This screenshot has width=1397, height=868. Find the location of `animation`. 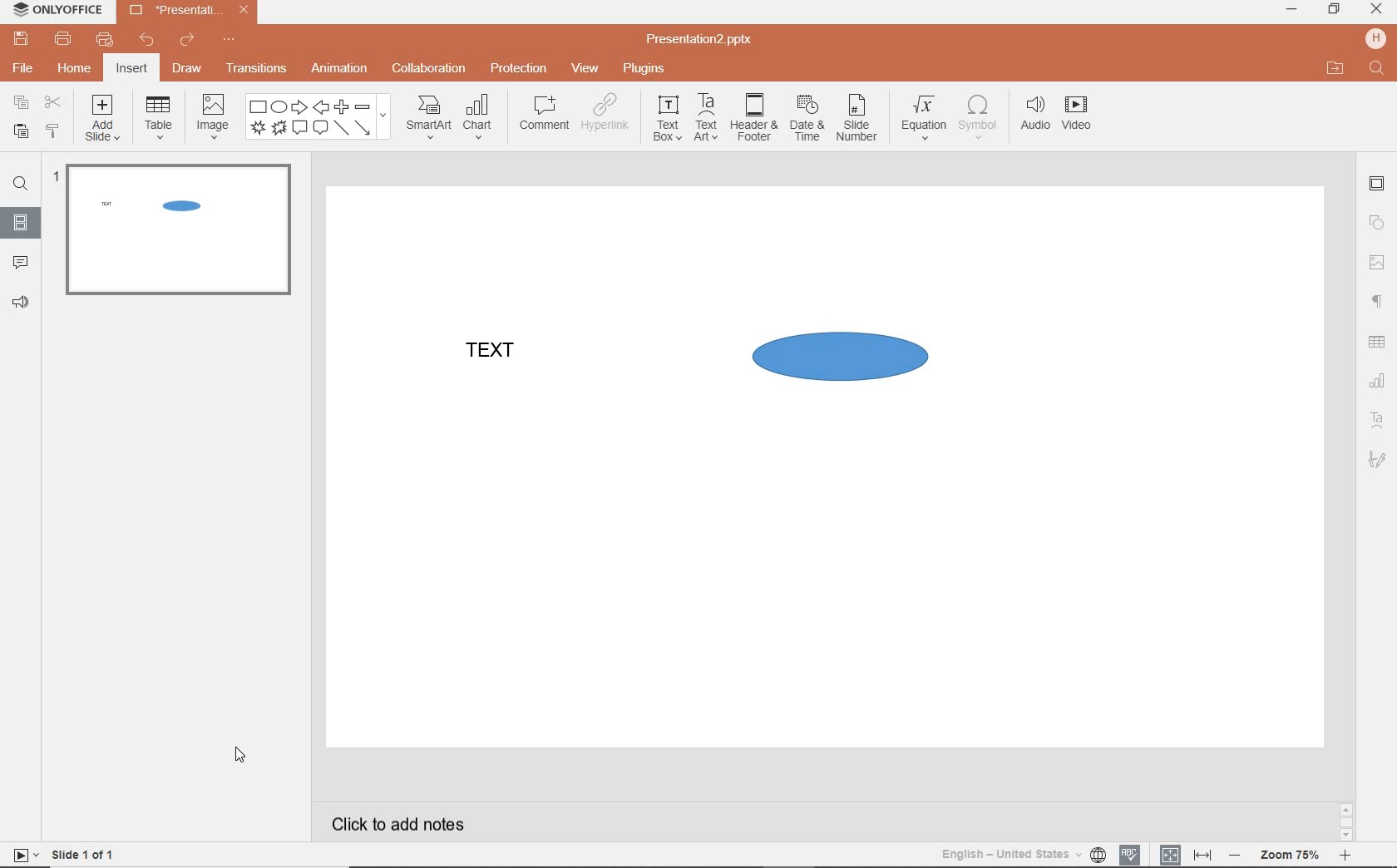

animation is located at coordinates (338, 70).